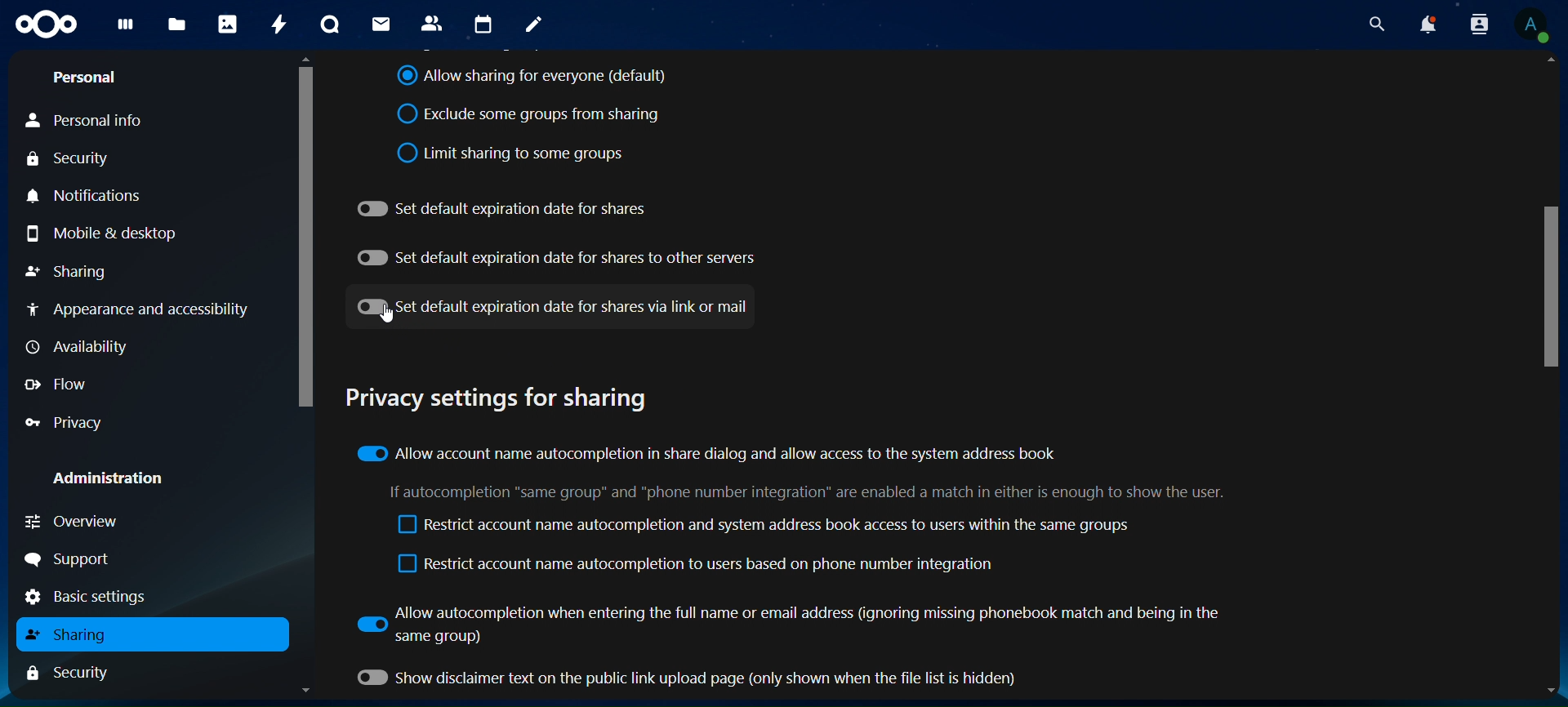 This screenshot has height=707, width=1568. Describe the element at coordinates (533, 115) in the screenshot. I see `exclude somegroups from sharing` at that location.